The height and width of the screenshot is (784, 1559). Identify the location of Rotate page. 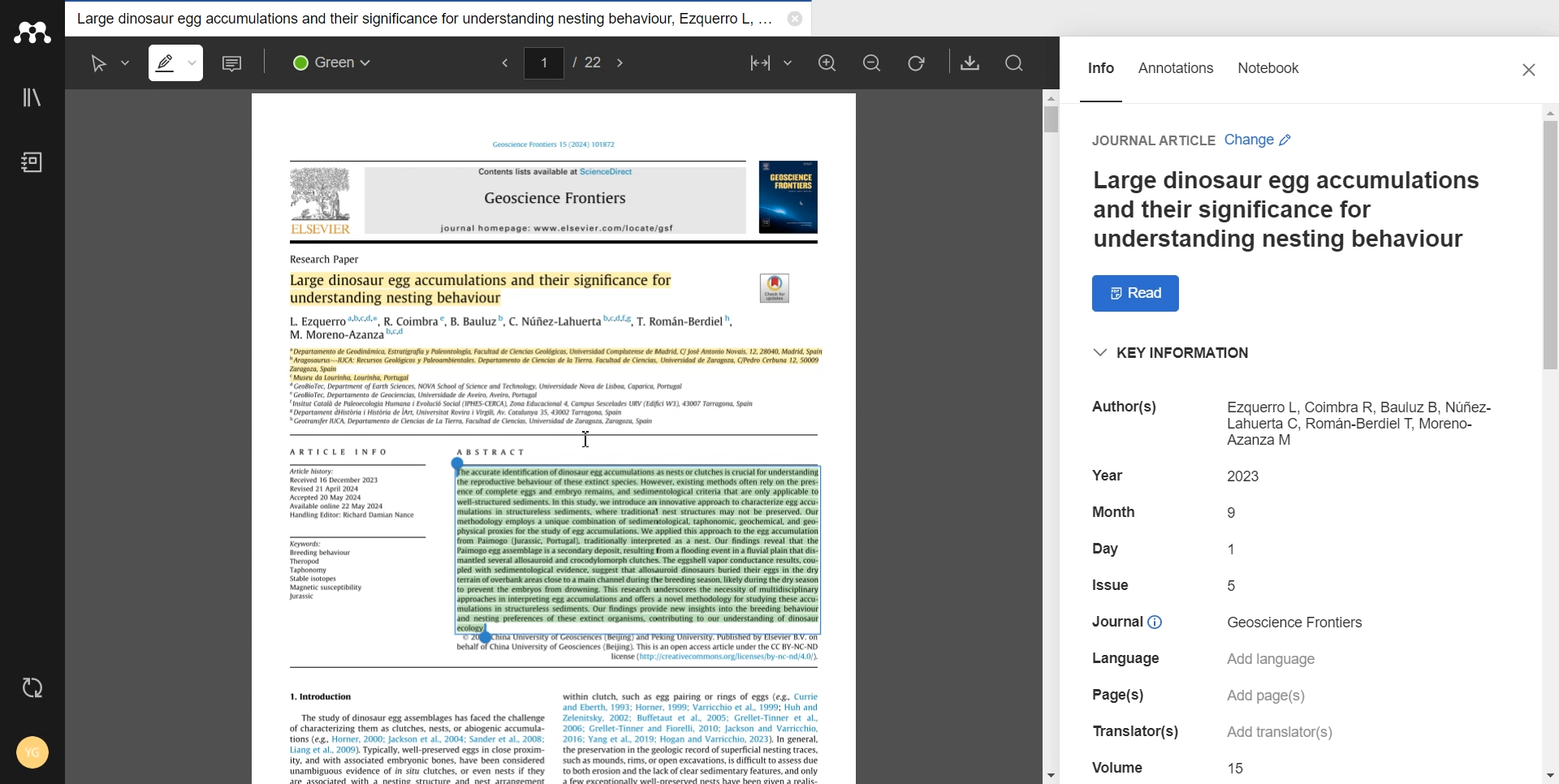
(917, 63).